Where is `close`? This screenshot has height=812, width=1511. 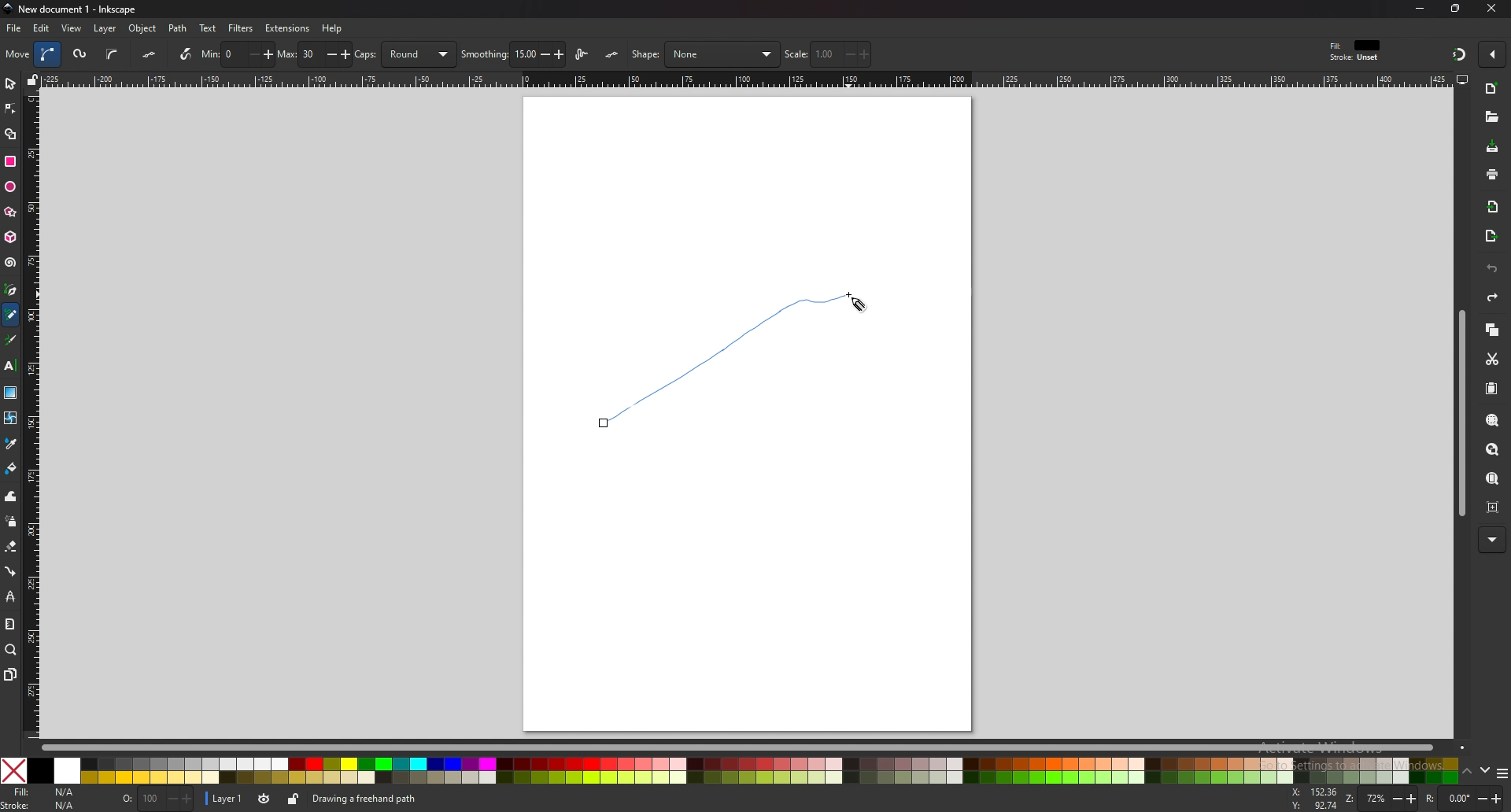 close is located at coordinates (1491, 9).